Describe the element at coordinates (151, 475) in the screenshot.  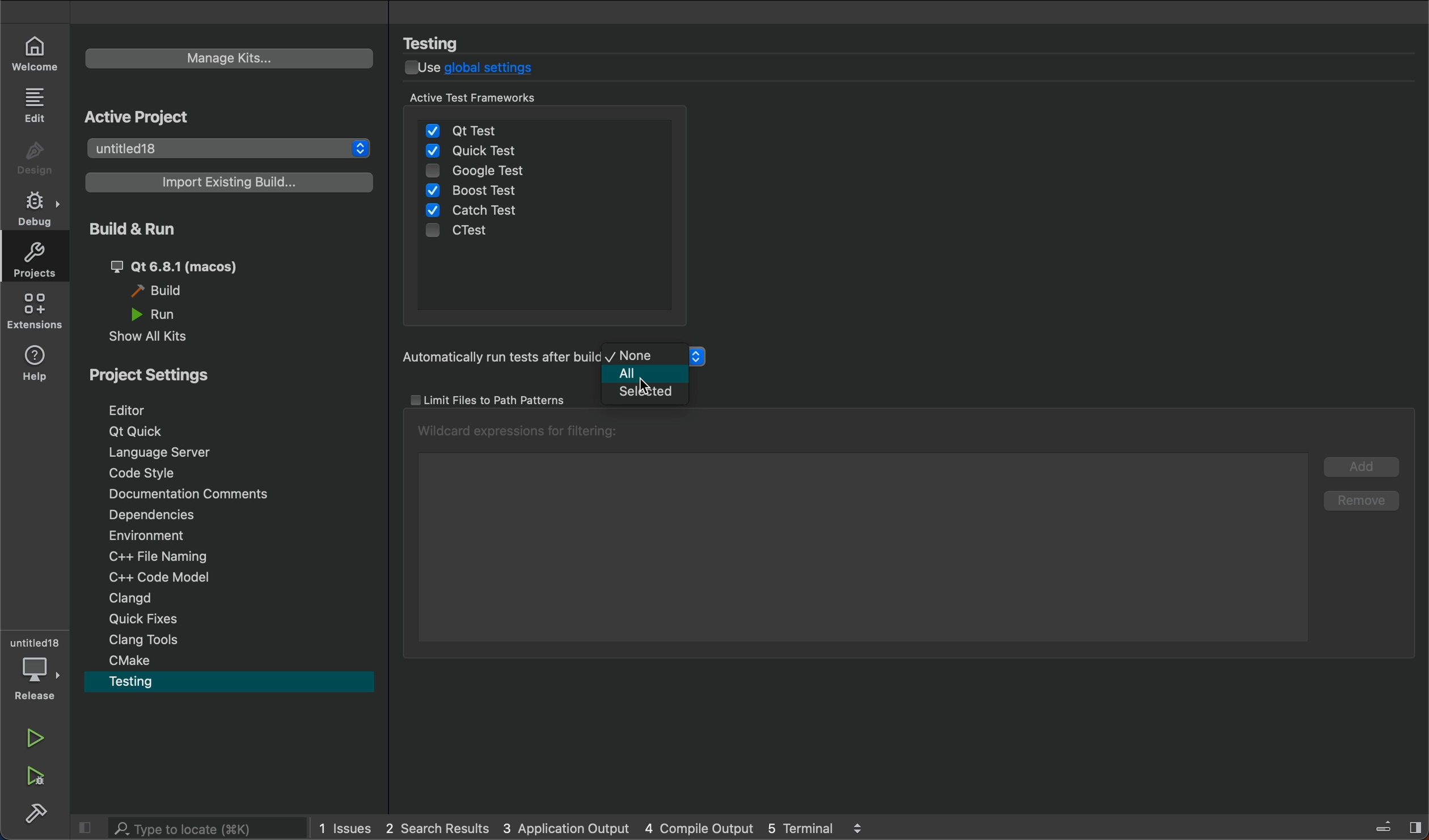
I see `code style` at that location.